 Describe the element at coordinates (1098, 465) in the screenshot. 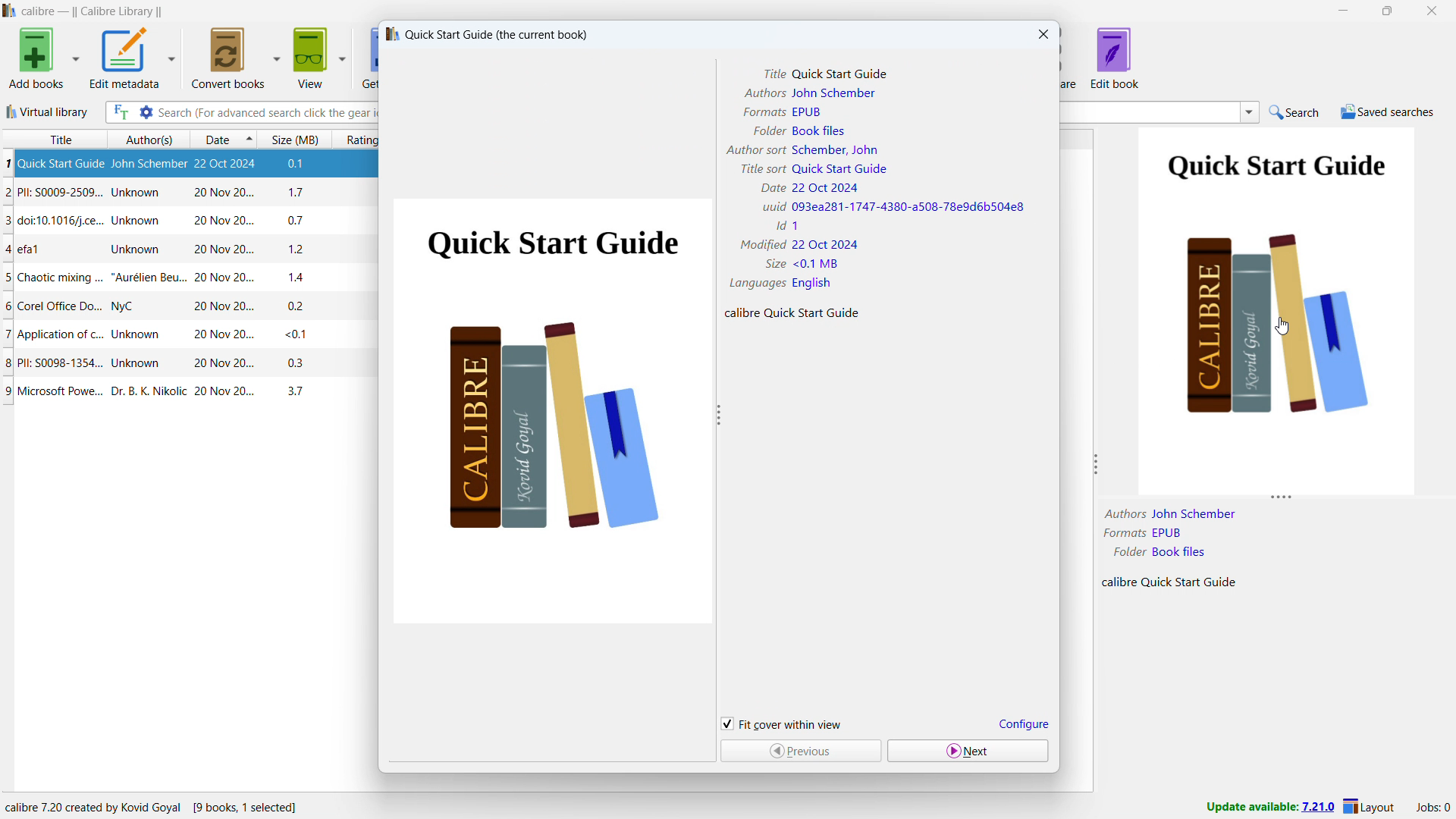

I see `resize` at that location.